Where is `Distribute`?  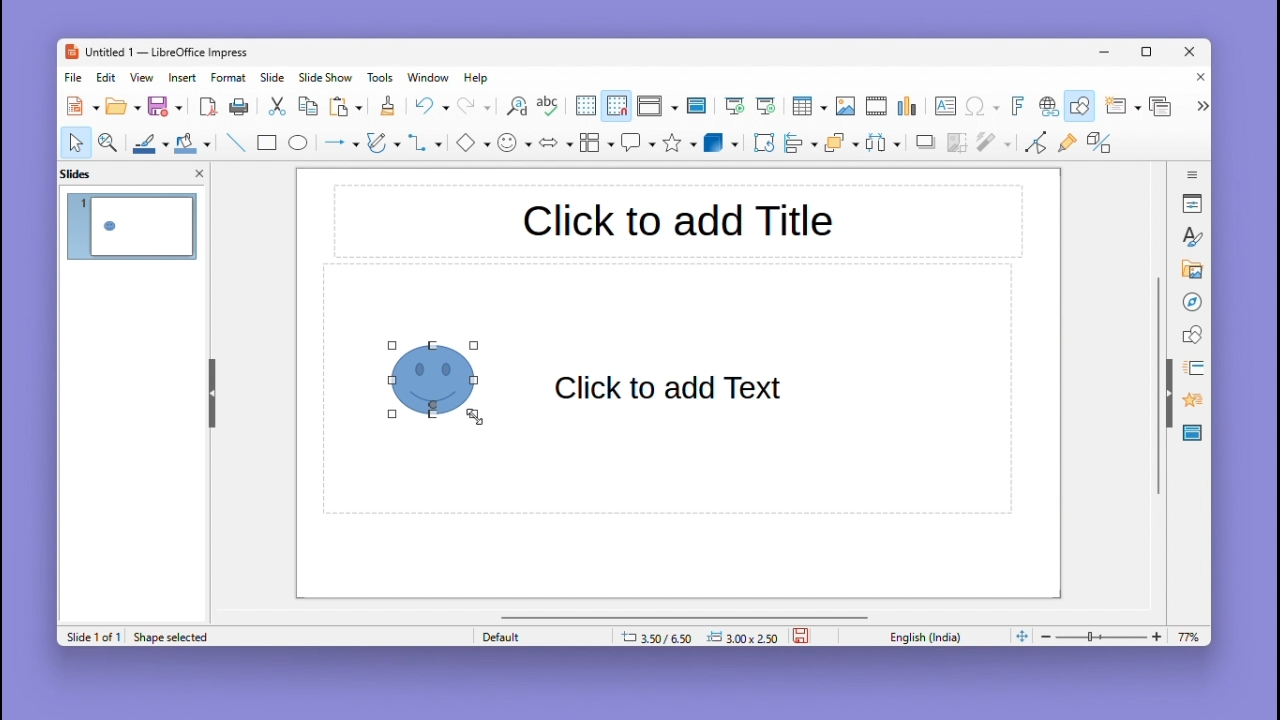
Distribute is located at coordinates (886, 145).